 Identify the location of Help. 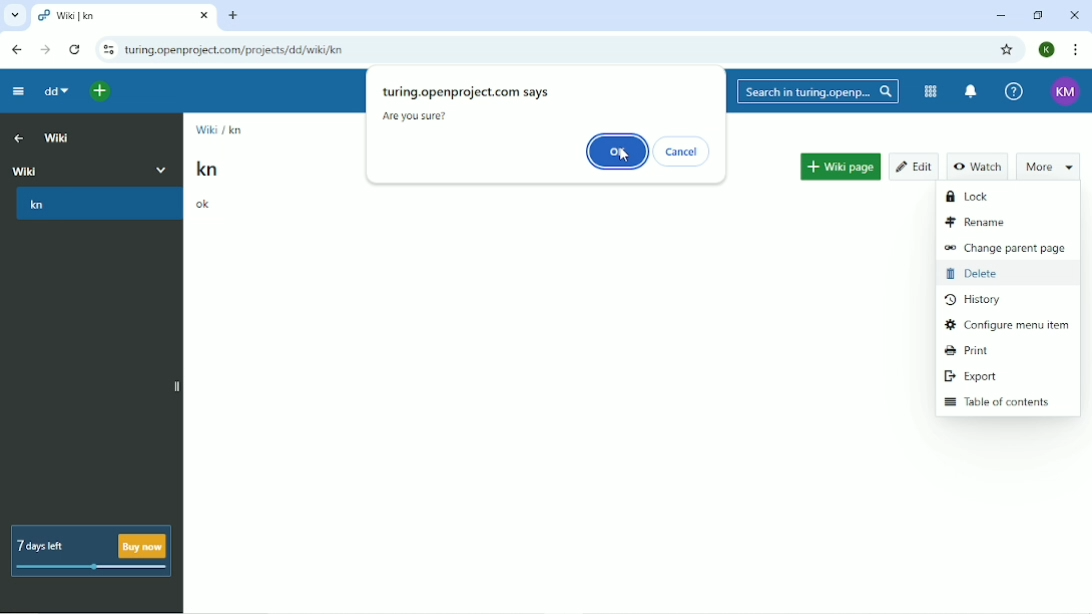
(1015, 90).